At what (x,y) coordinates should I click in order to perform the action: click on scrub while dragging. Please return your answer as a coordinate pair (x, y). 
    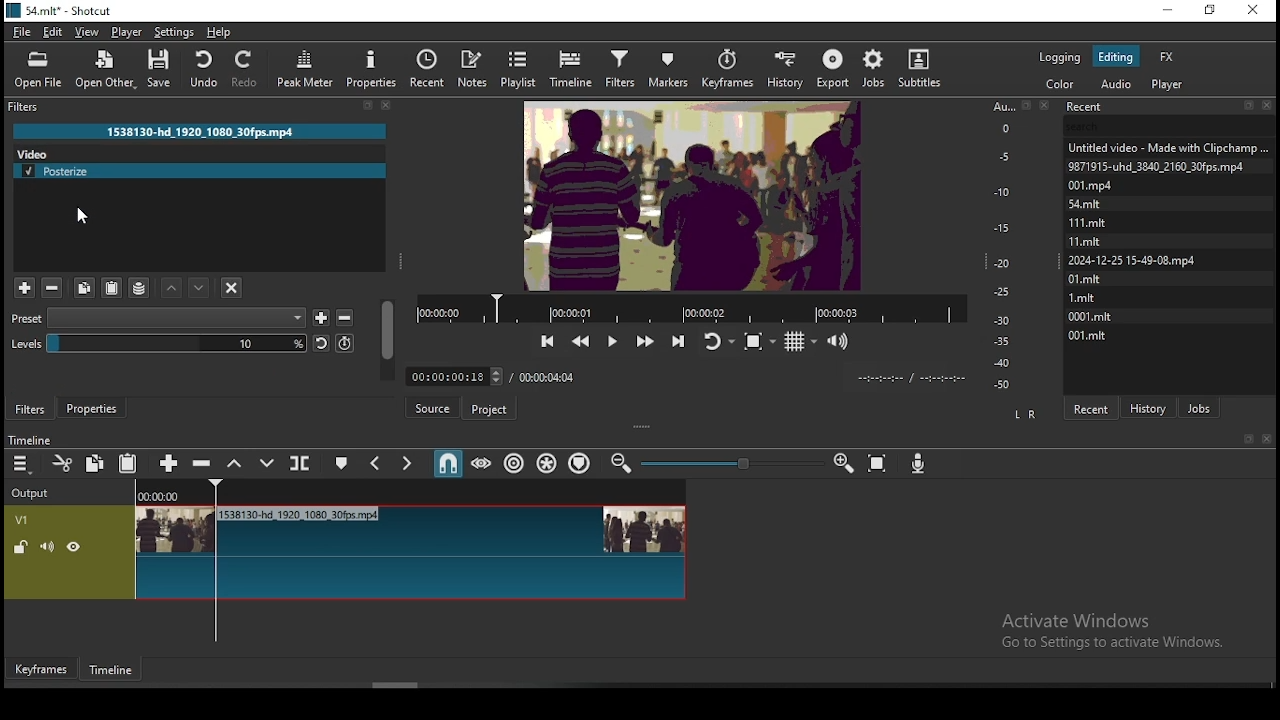
    Looking at the image, I should click on (482, 465).